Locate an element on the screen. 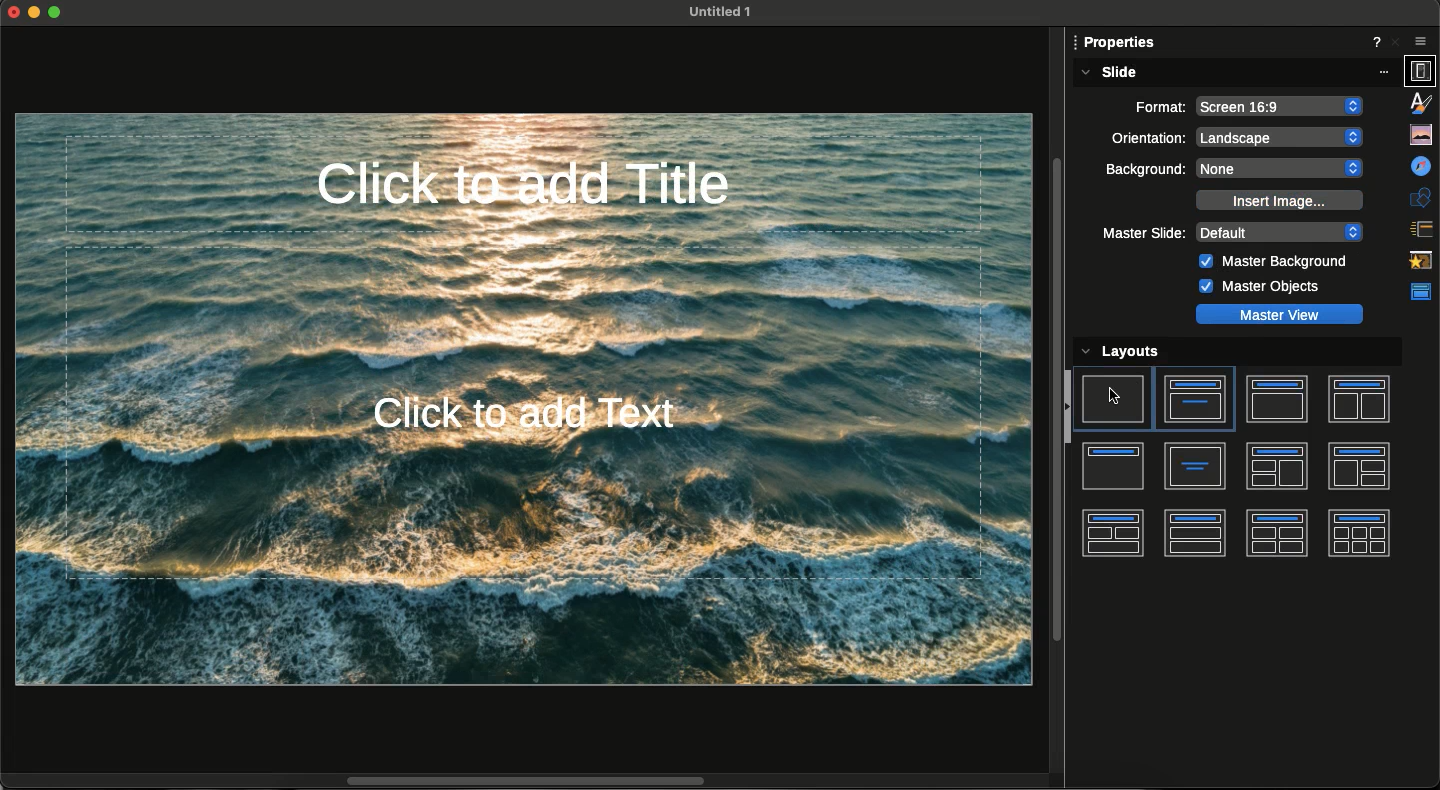 The height and width of the screenshot is (790, 1440). Slide is located at coordinates (1114, 399).